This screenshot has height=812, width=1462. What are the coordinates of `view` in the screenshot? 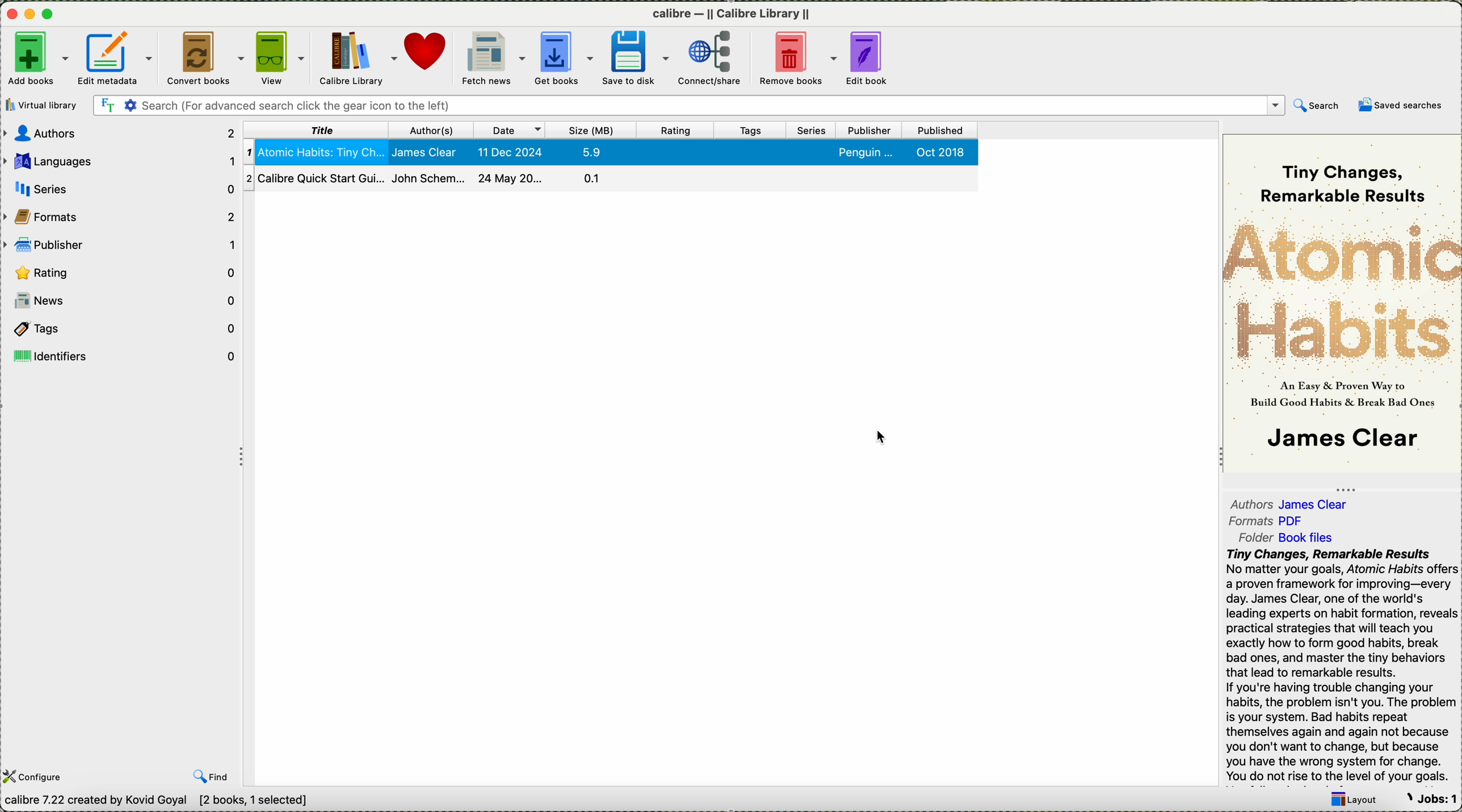 It's located at (283, 57).